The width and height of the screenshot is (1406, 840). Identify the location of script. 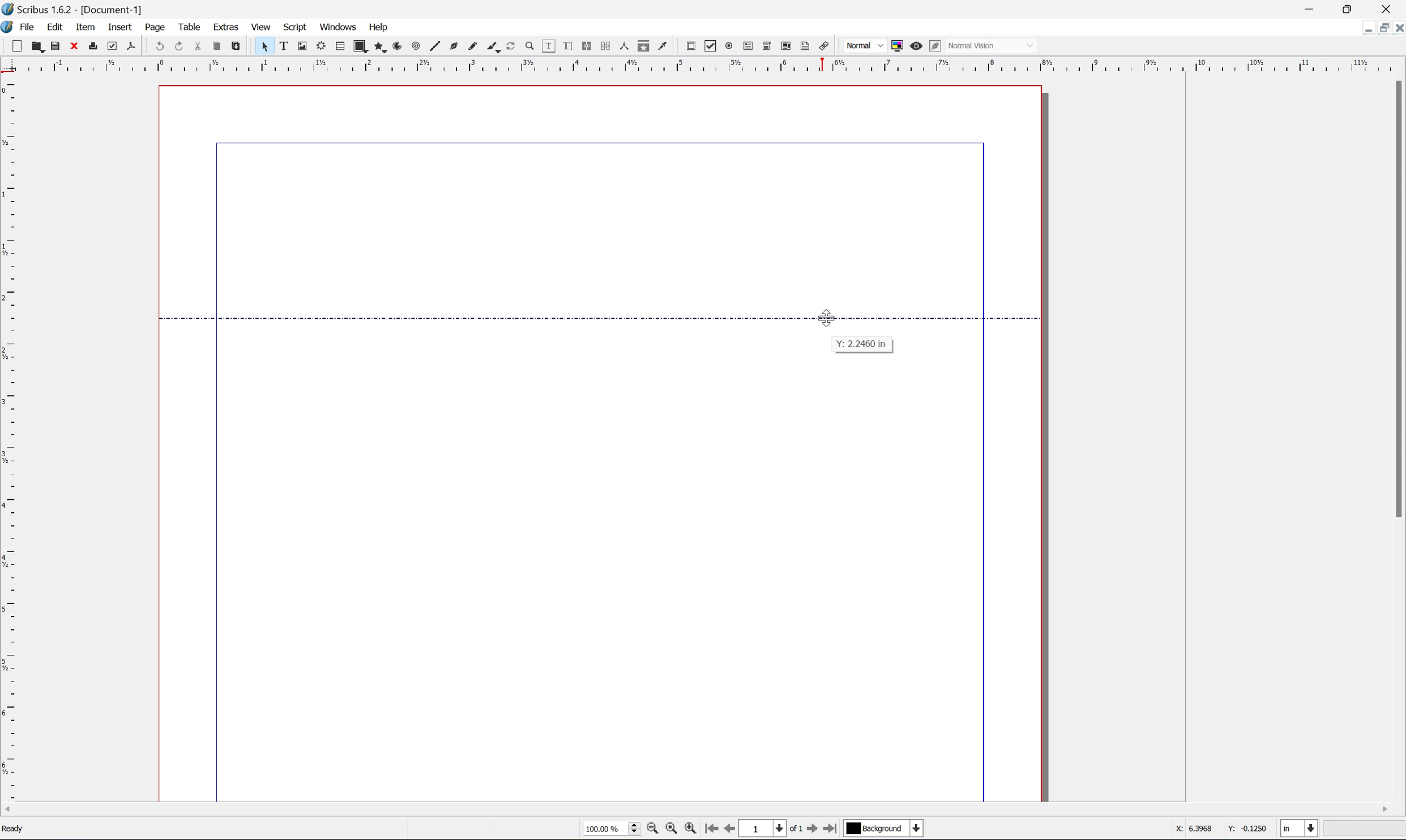
(298, 27).